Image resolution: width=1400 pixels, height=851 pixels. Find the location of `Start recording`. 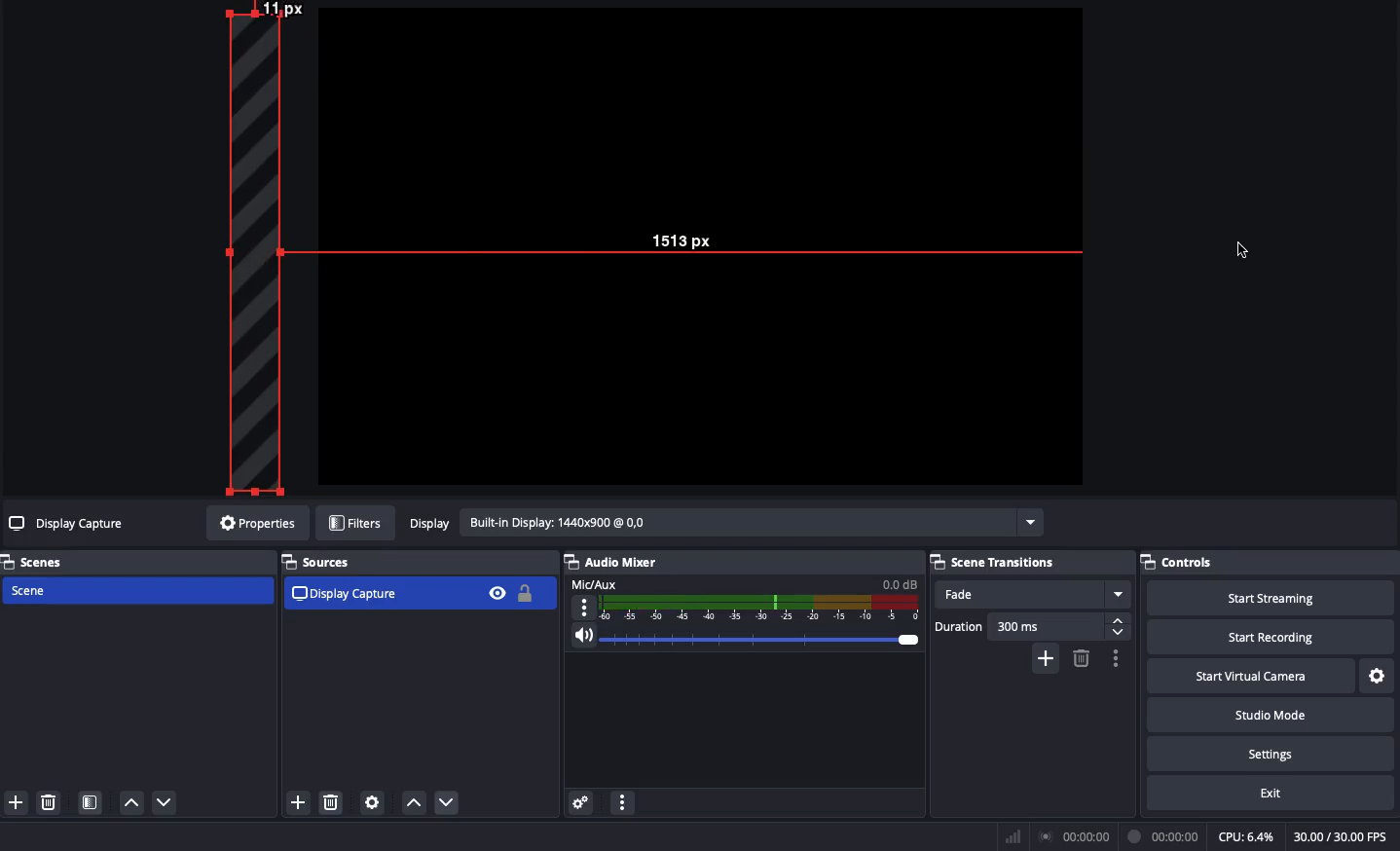

Start recording is located at coordinates (1273, 636).